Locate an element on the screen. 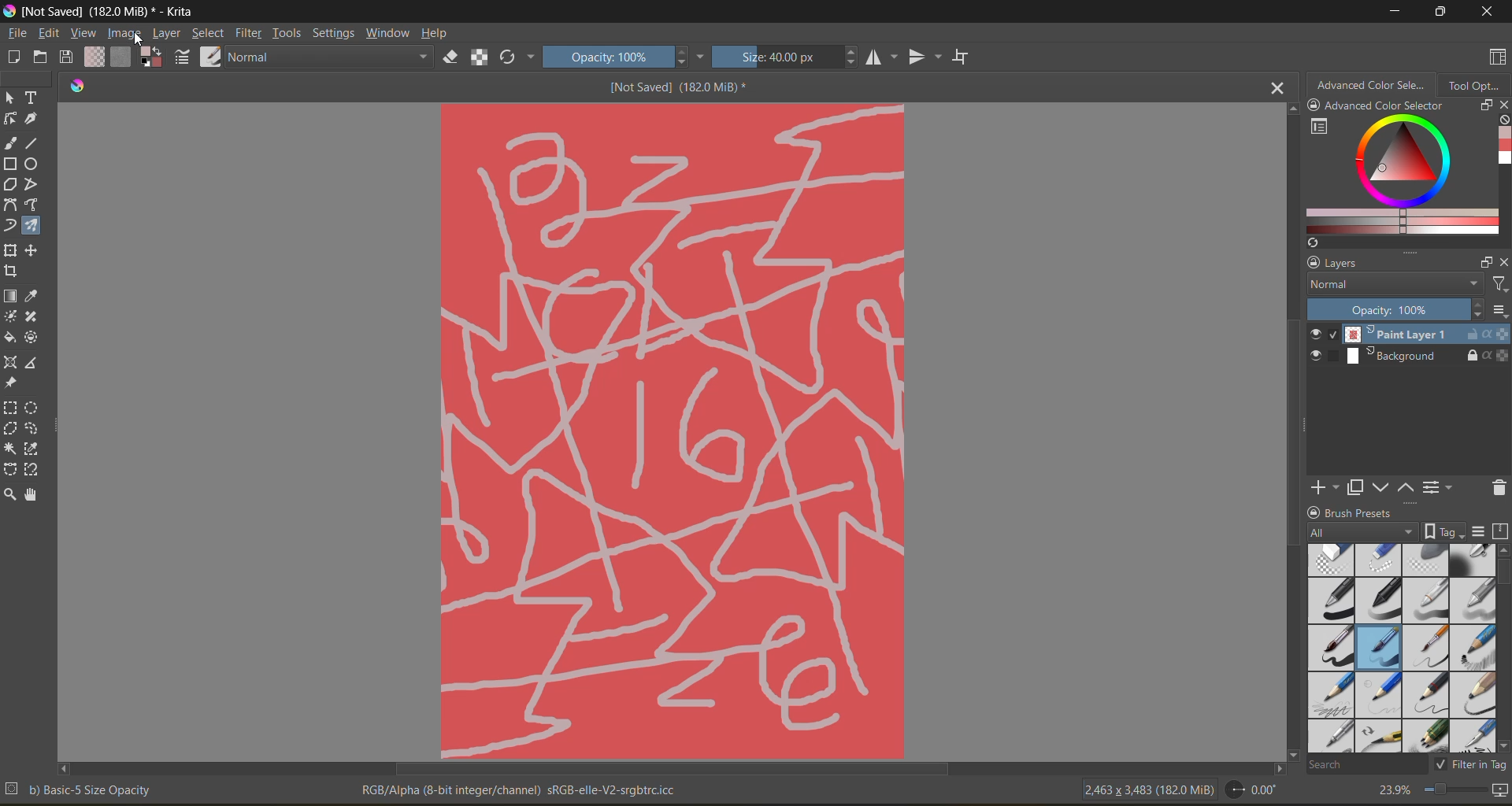  [Not Saved] (182.0 MiB) * is located at coordinates (679, 86).